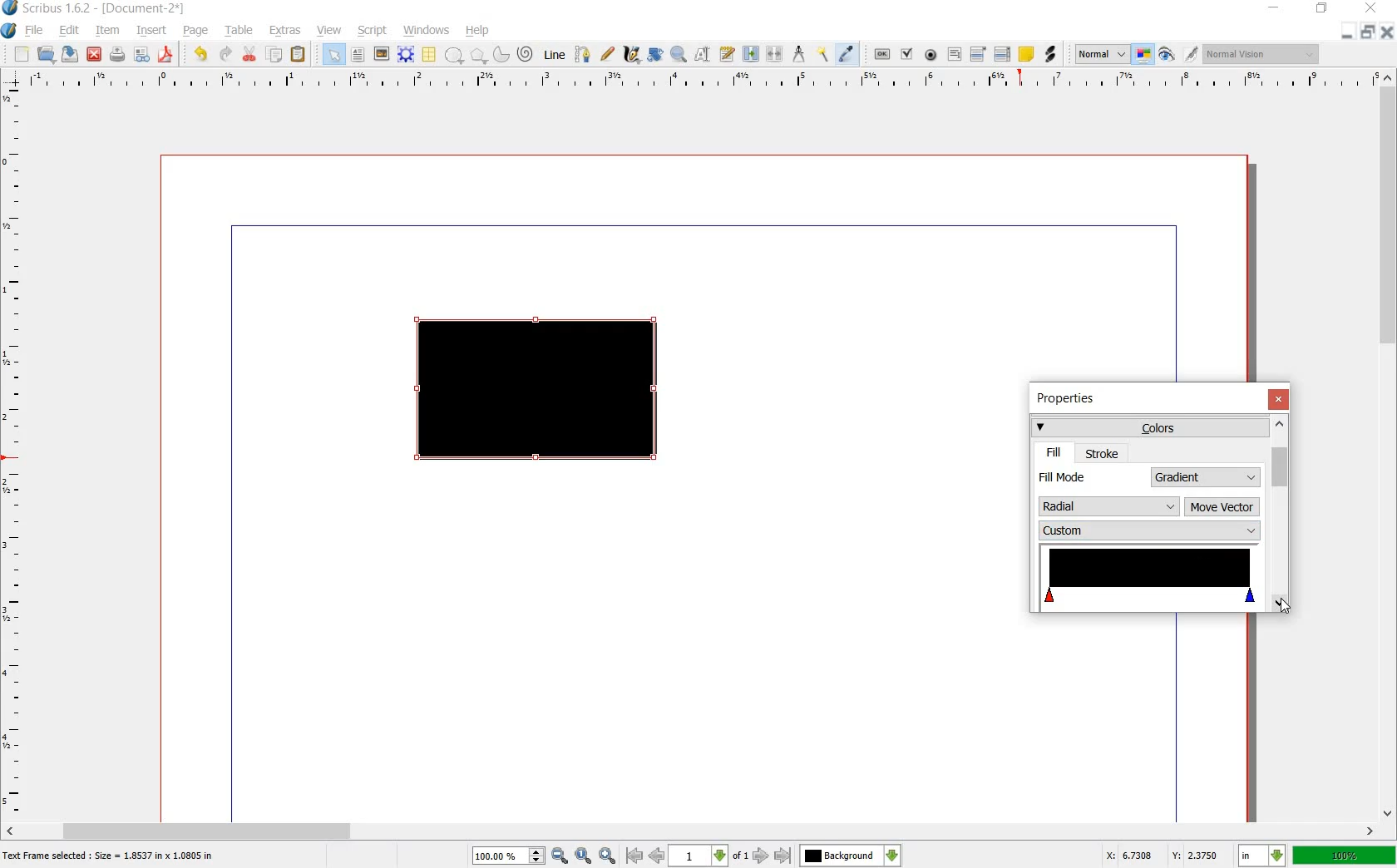  I want to click on ruler, so click(14, 452).